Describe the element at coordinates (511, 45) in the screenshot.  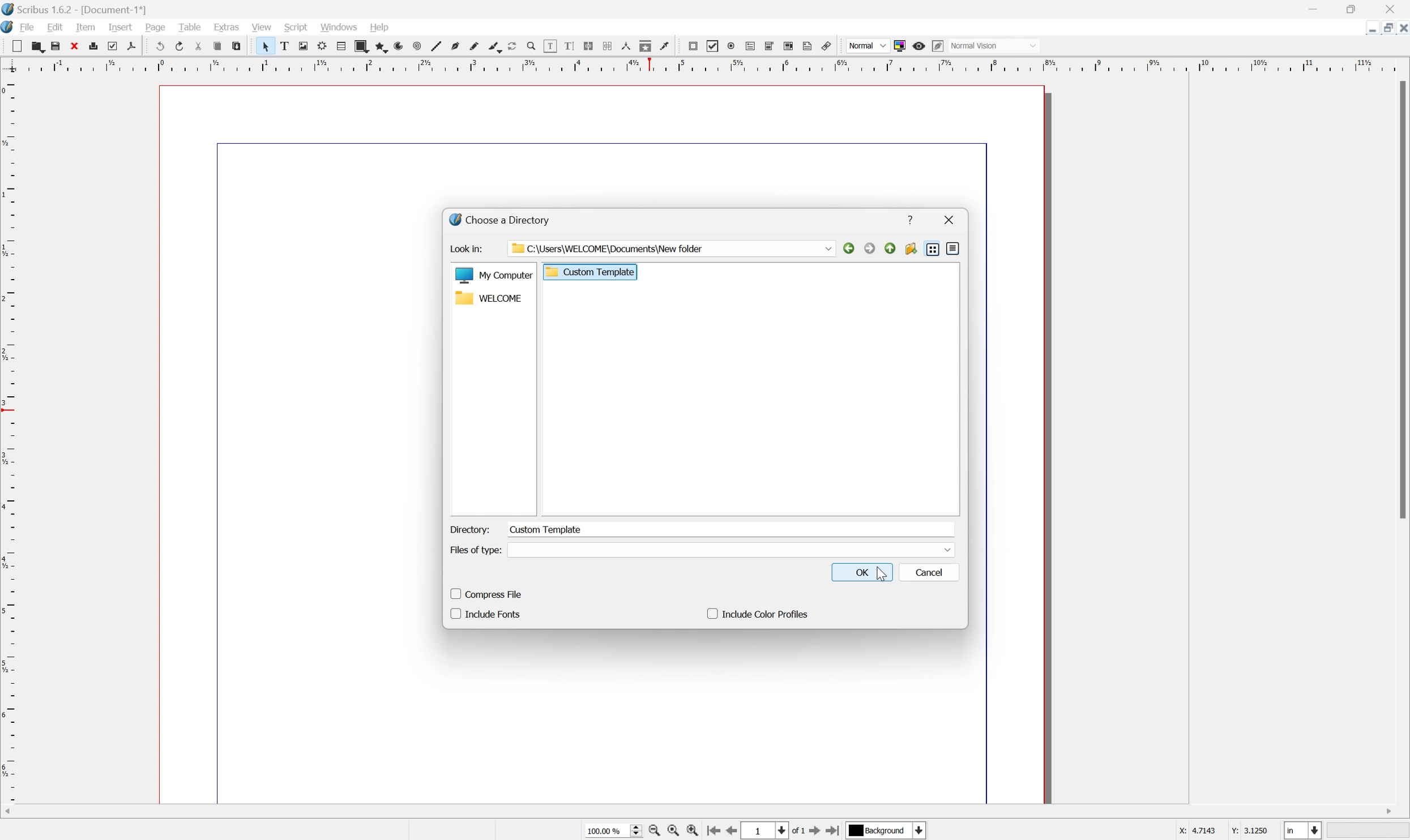
I see `Rotate item` at that location.